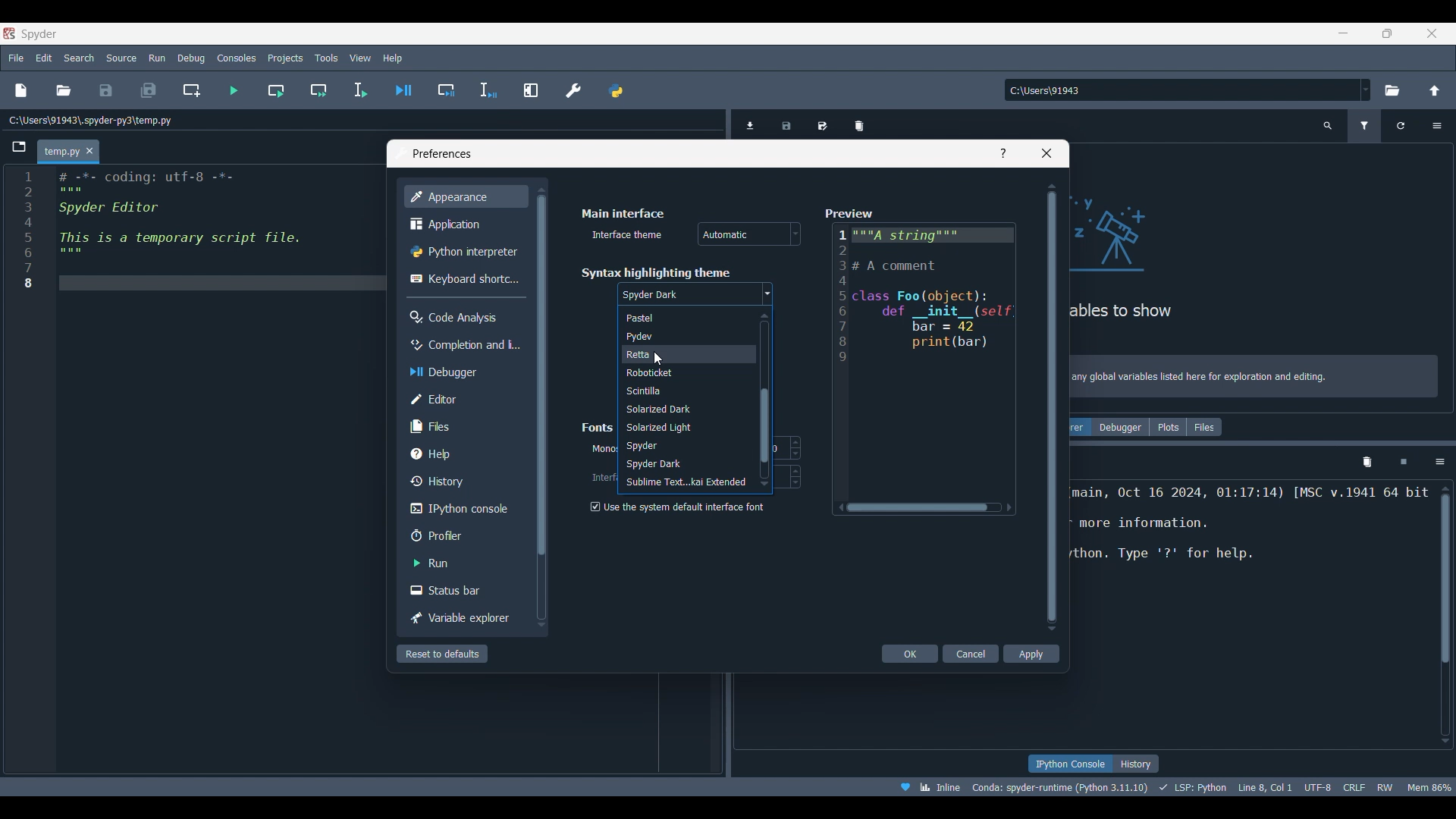 This screenshot has width=1456, height=819. What do you see at coordinates (625, 235) in the screenshot?
I see `Indicates interface theme options` at bounding box center [625, 235].